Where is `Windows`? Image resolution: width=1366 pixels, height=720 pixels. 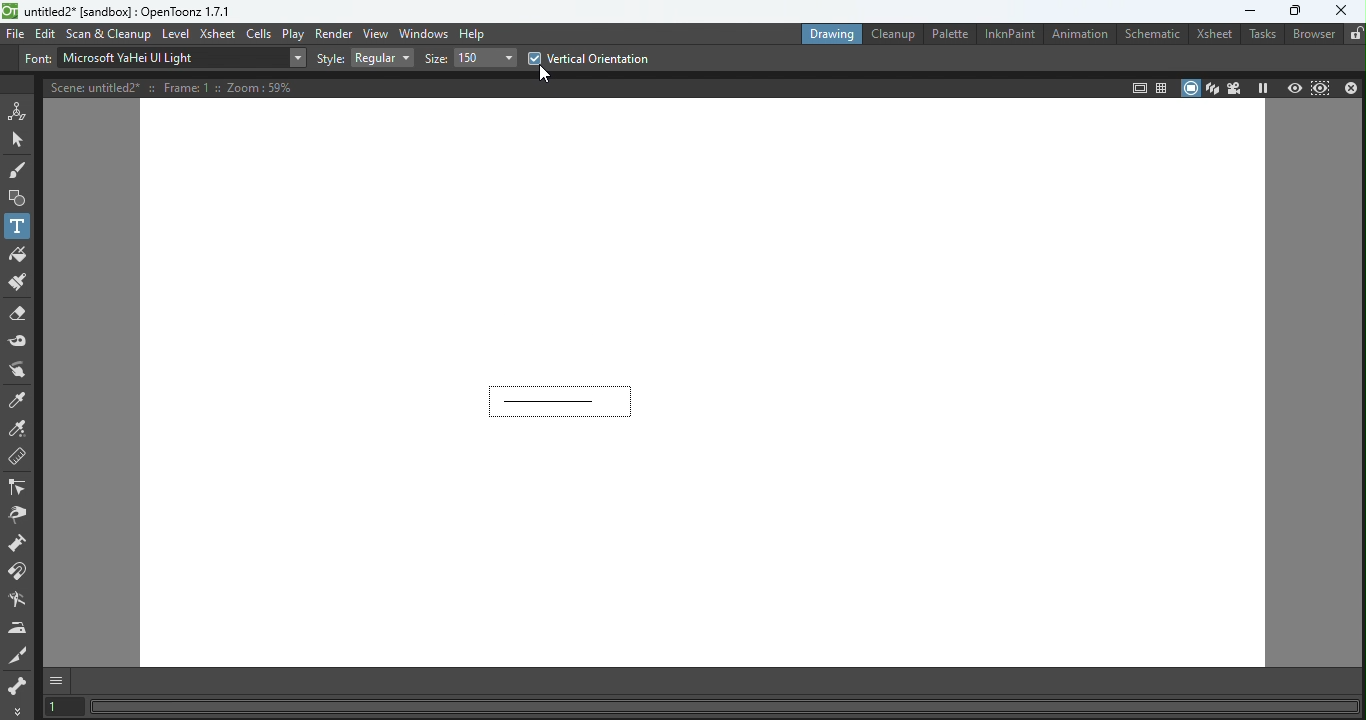
Windows is located at coordinates (422, 33).